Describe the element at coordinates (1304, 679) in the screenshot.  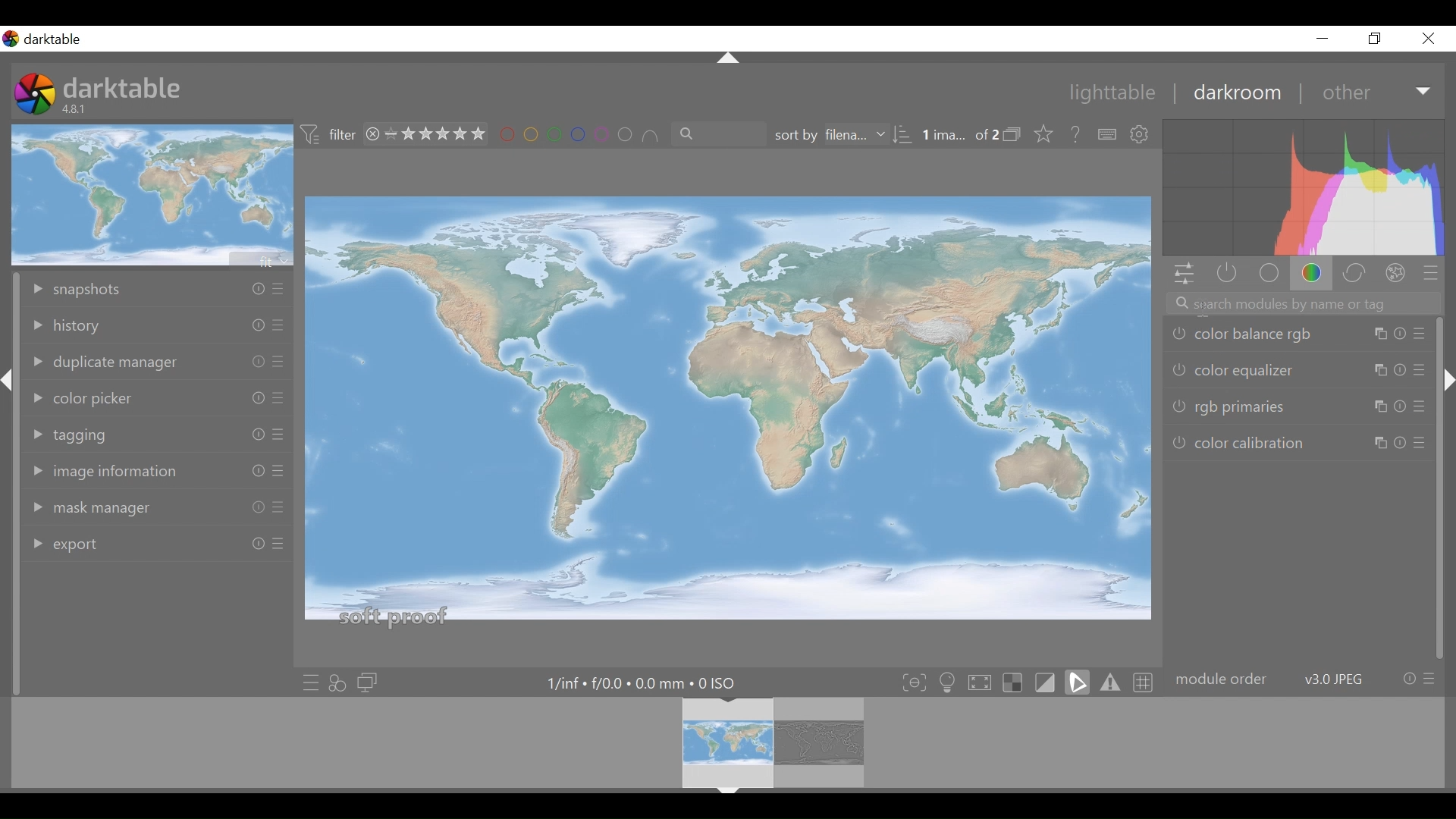
I see `module order` at that location.